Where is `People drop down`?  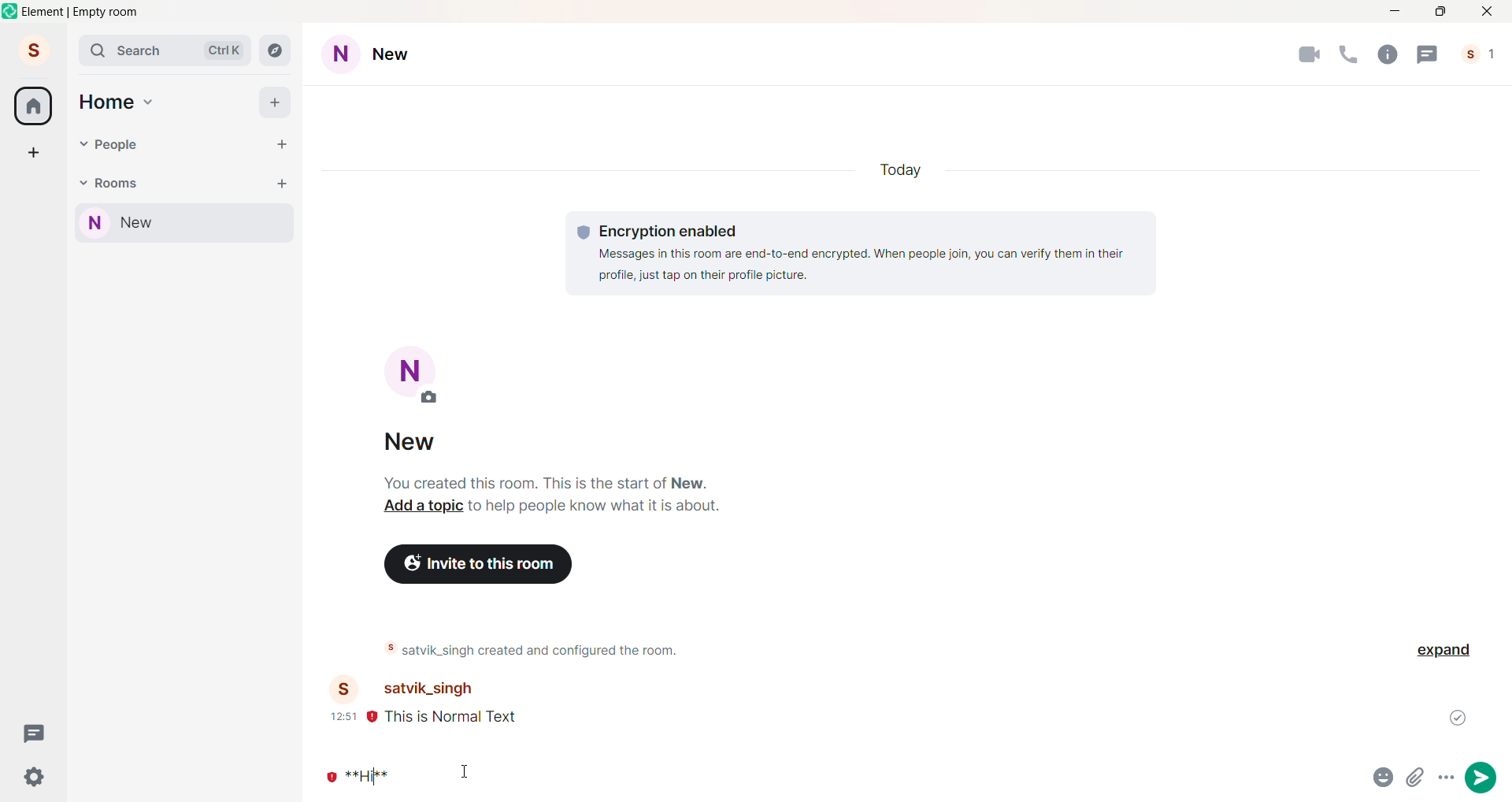
People drop down is located at coordinates (83, 144).